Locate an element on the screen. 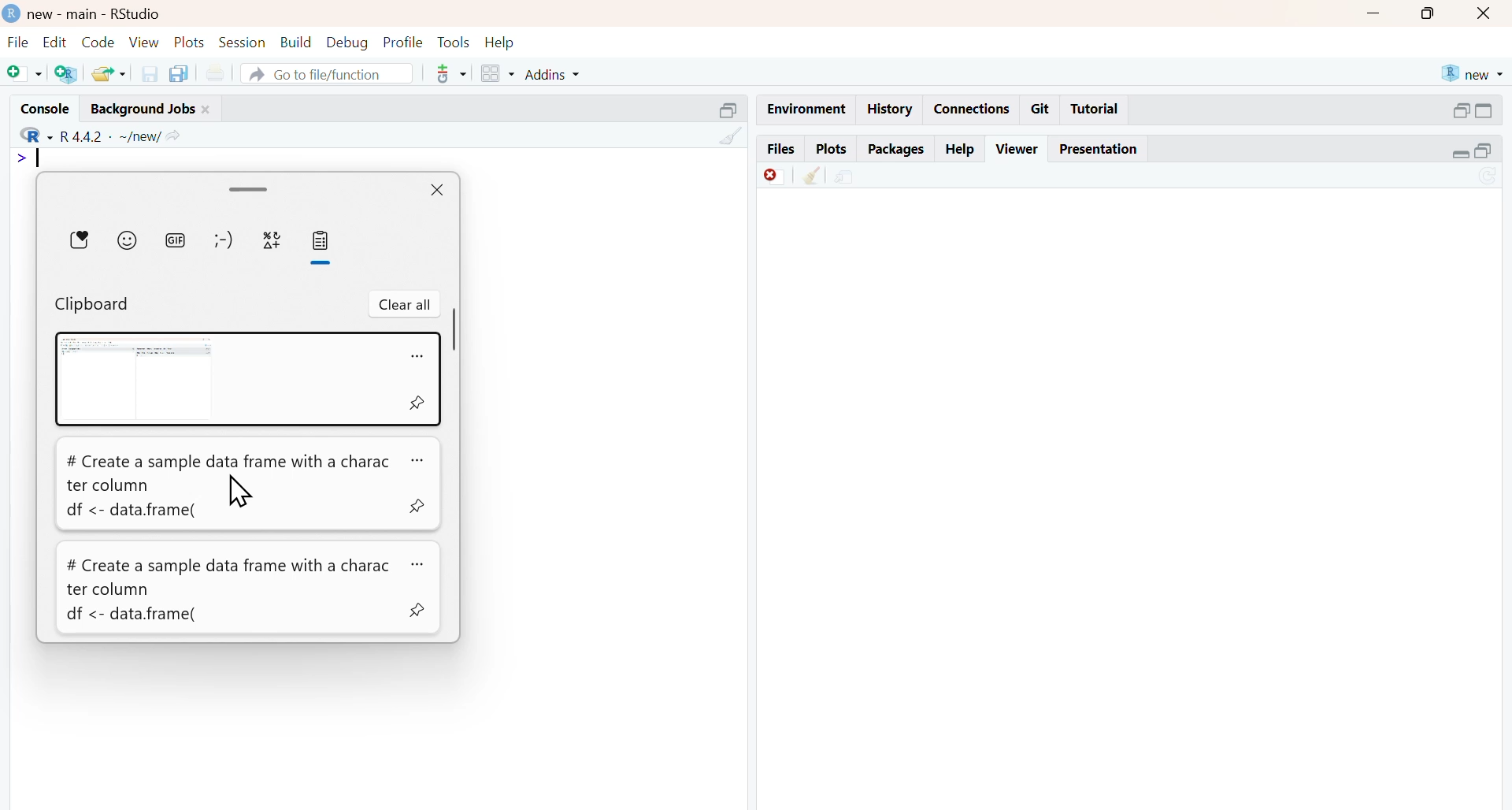 The height and width of the screenshot is (810, 1512). clean is located at coordinates (732, 136).